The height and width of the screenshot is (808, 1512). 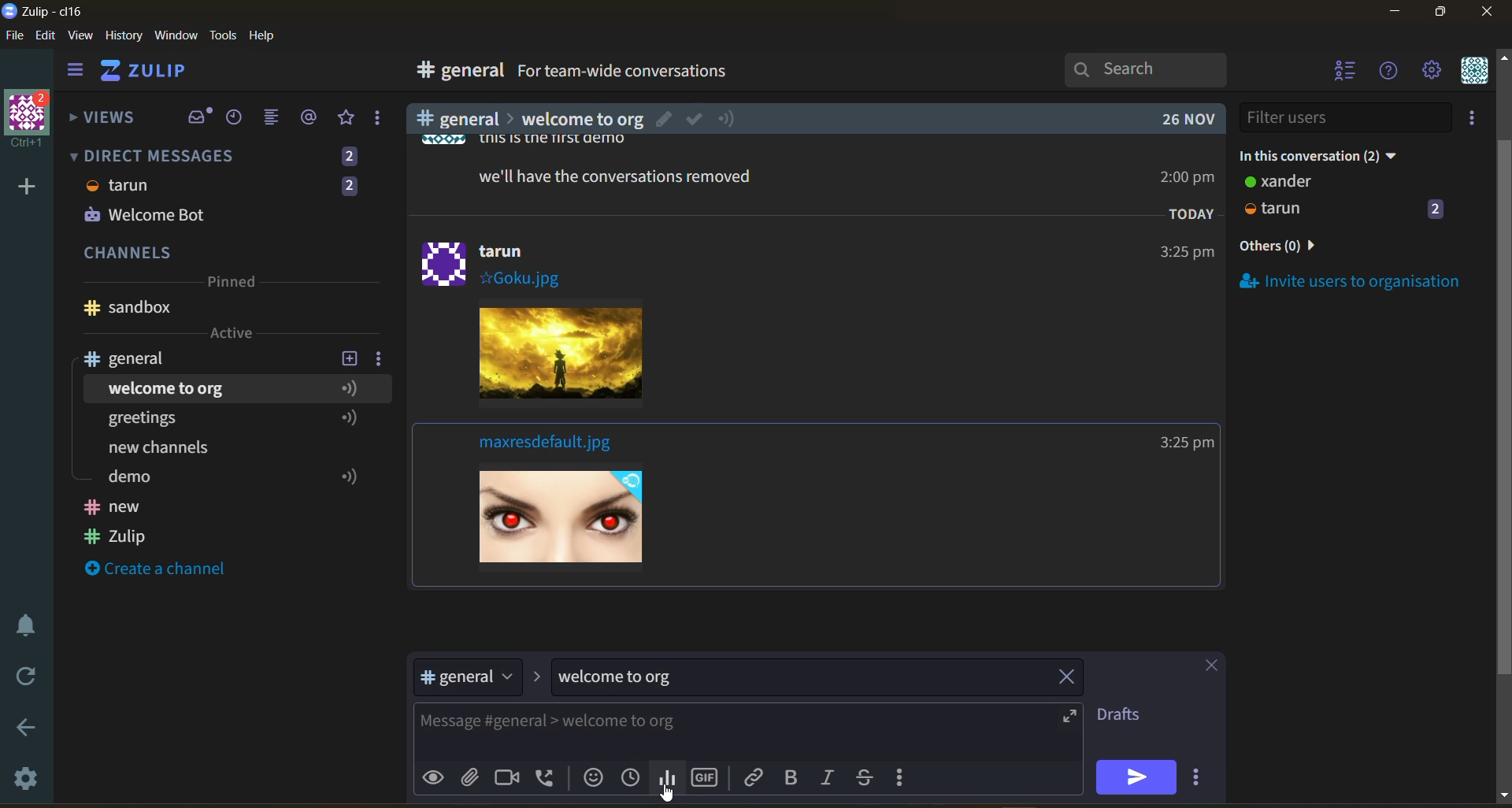 What do you see at coordinates (22, 676) in the screenshot?
I see `reload` at bounding box center [22, 676].